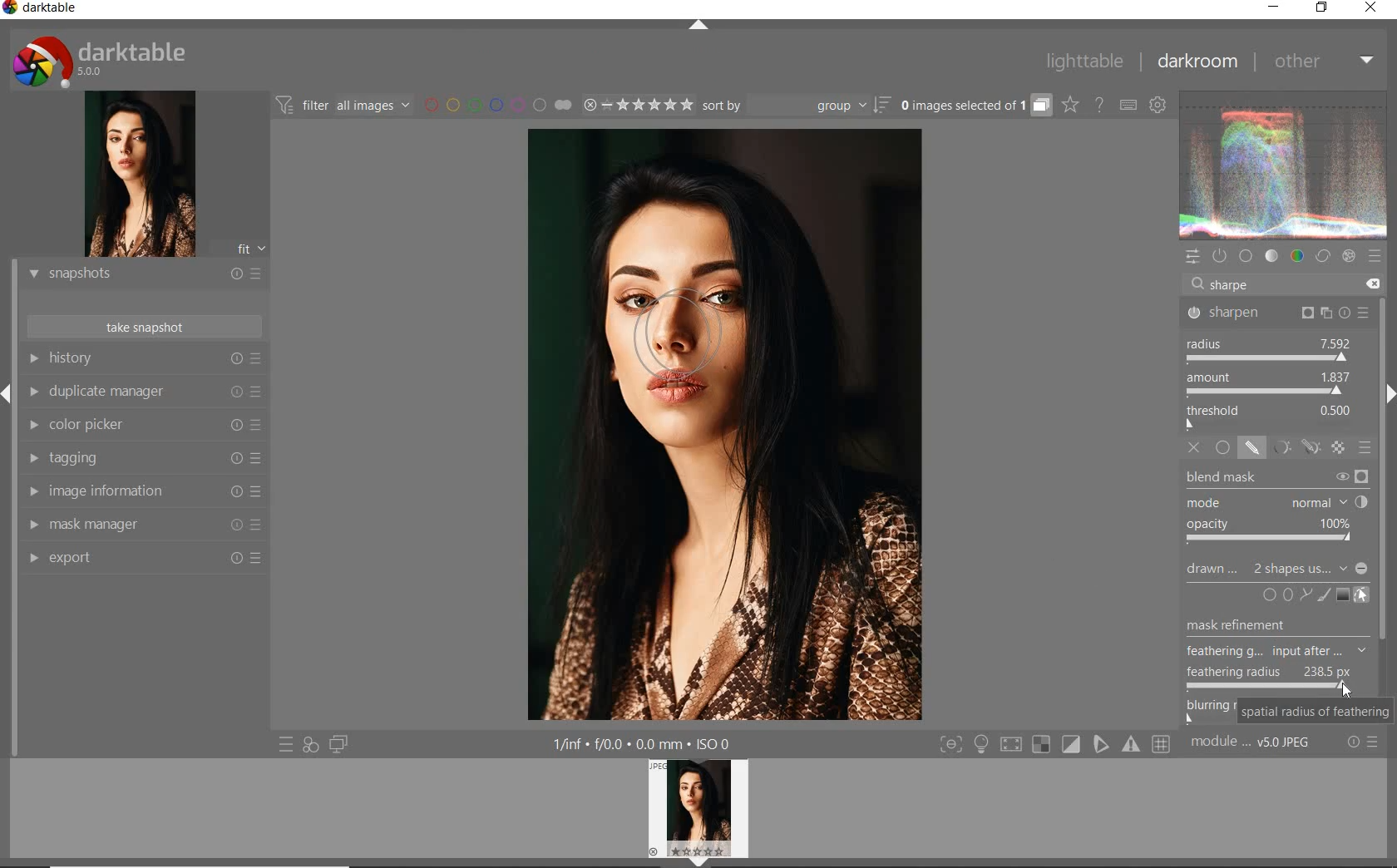 Image resolution: width=1397 pixels, height=868 pixels. What do you see at coordinates (146, 394) in the screenshot?
I see `DUPLICATE MANAGER` at bounding box center [146, 394].